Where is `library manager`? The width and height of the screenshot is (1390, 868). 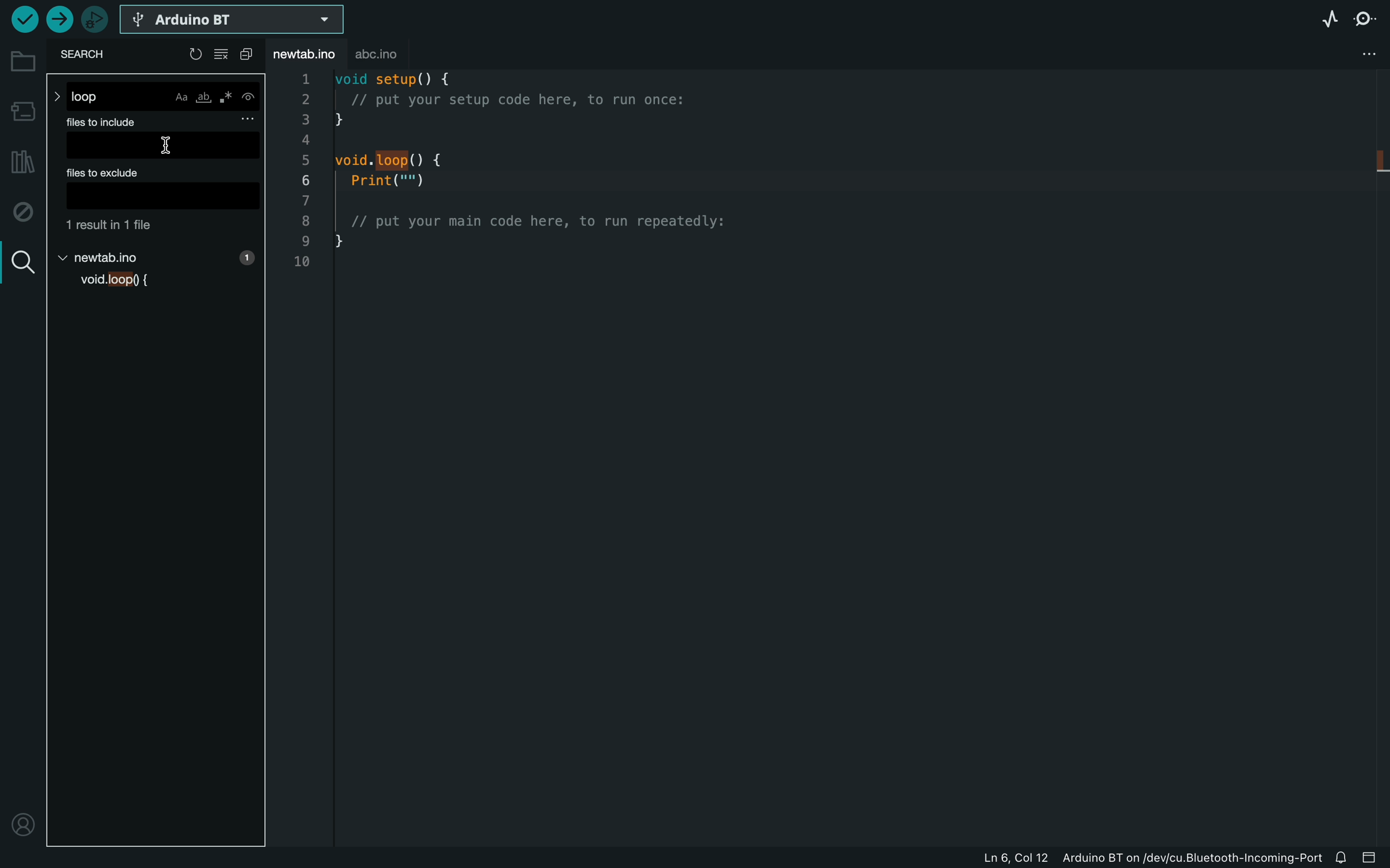
library manager is located at coordinates (20, 164).